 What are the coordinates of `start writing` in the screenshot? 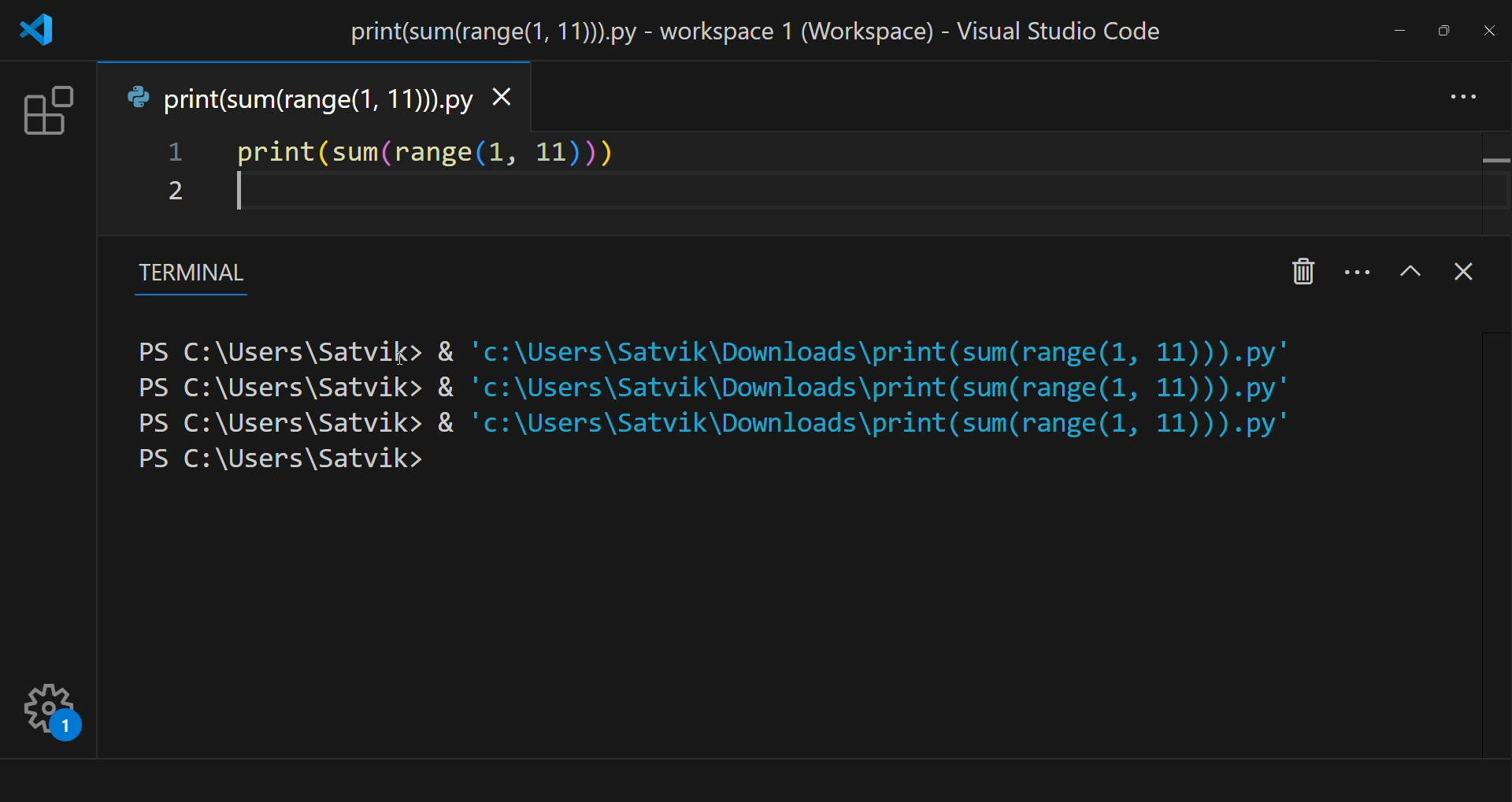 It's located at (241, 195).